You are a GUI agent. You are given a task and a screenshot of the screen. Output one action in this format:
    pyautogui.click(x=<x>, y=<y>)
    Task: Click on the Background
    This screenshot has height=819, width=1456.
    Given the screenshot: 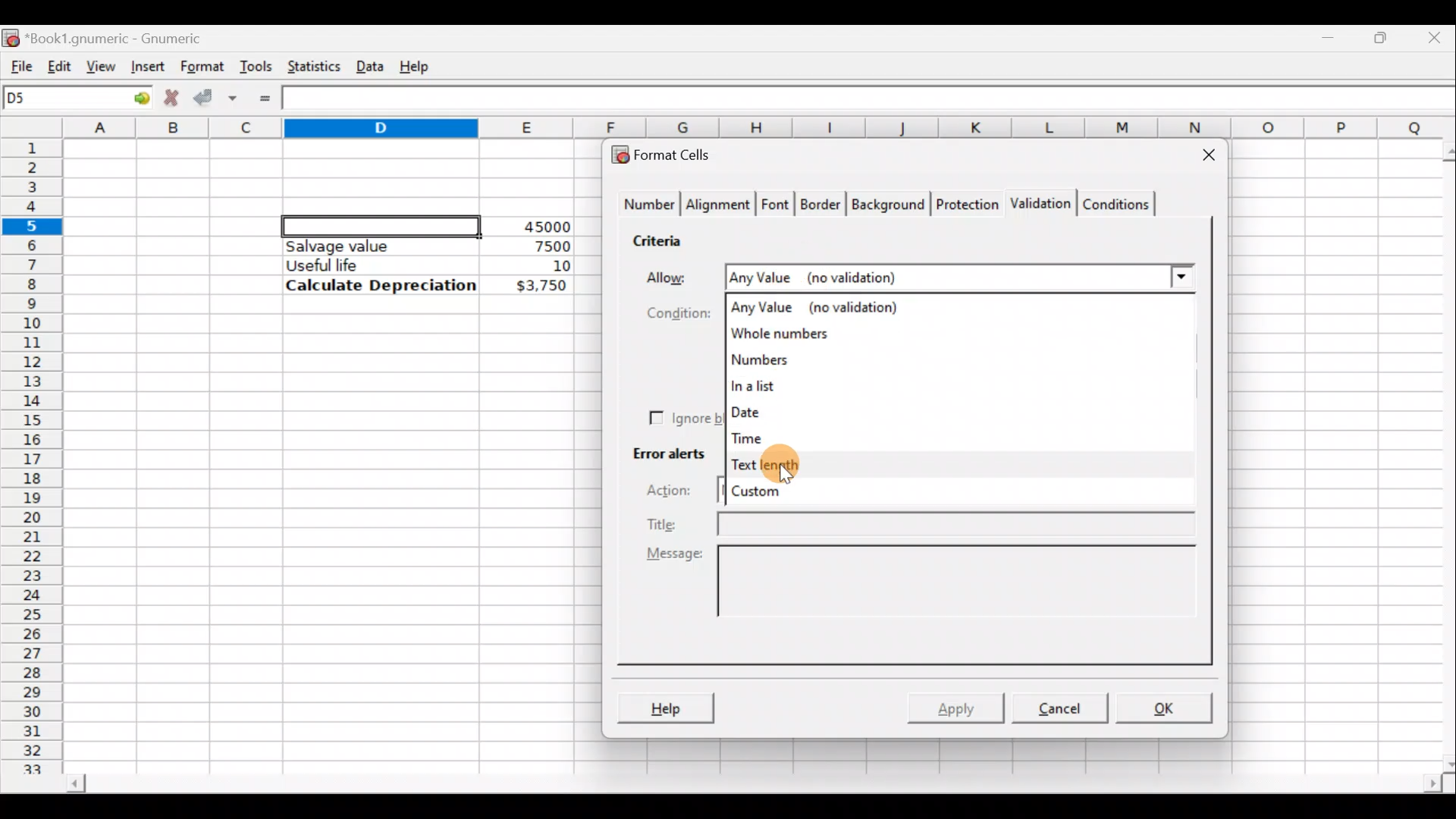 What is the action you would take?
    pyautogui.click(x=887, y=203)
    